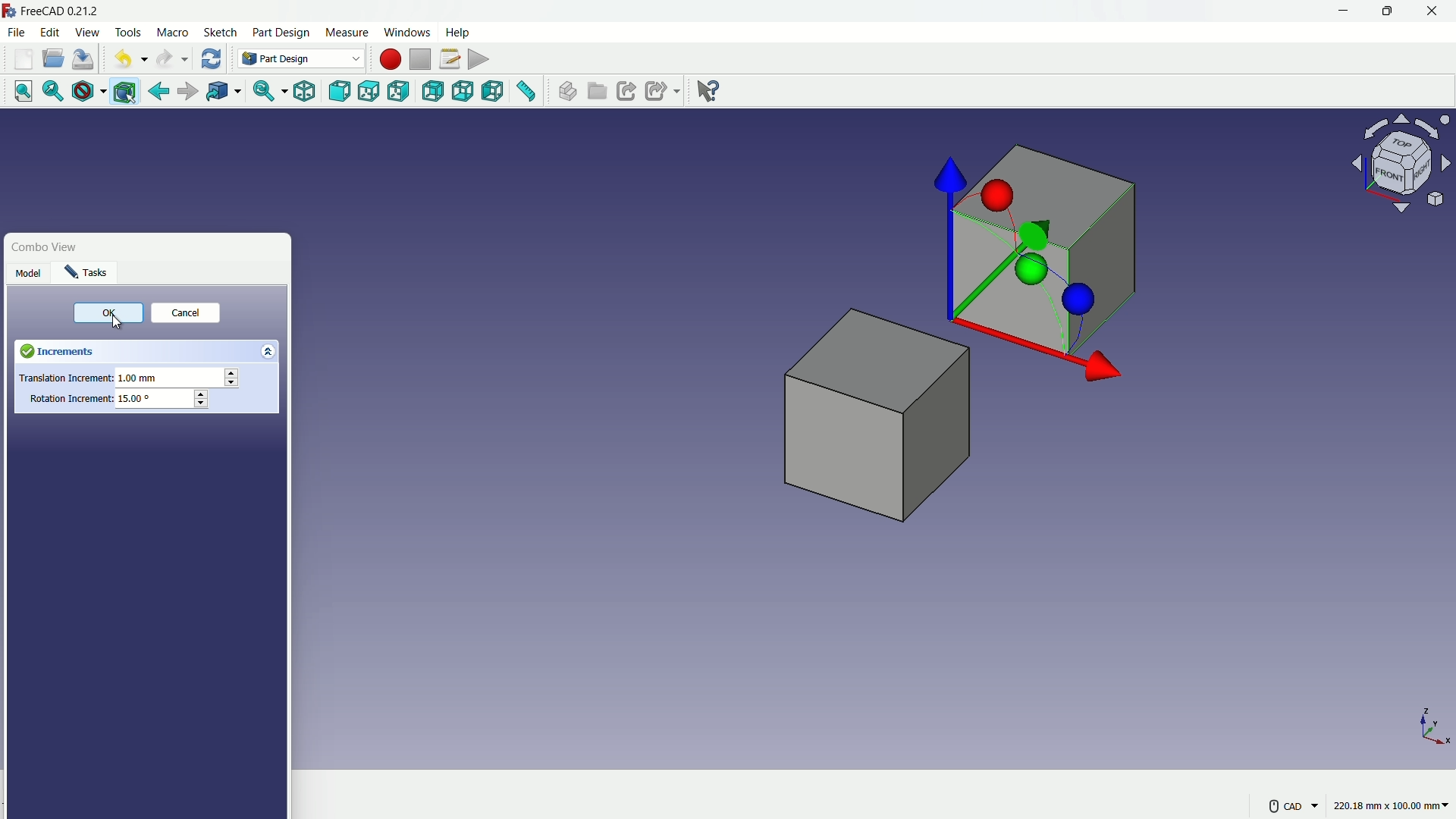 The image size is (1456, 819). Describe the element at coordinates (449, 58) in the screenshot. I see `macros` at that location.